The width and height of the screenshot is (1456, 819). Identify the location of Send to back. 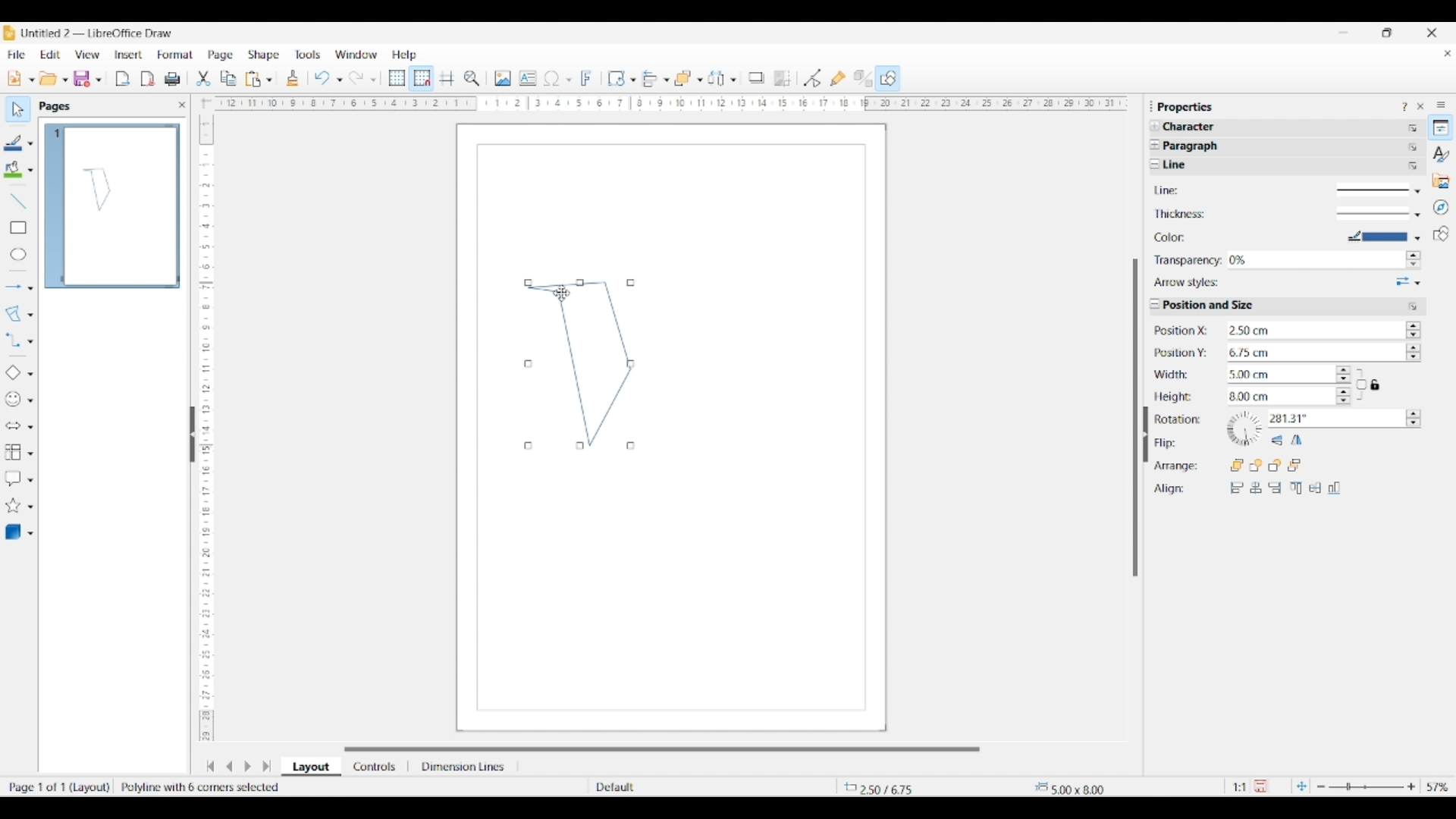
(1295, 465).